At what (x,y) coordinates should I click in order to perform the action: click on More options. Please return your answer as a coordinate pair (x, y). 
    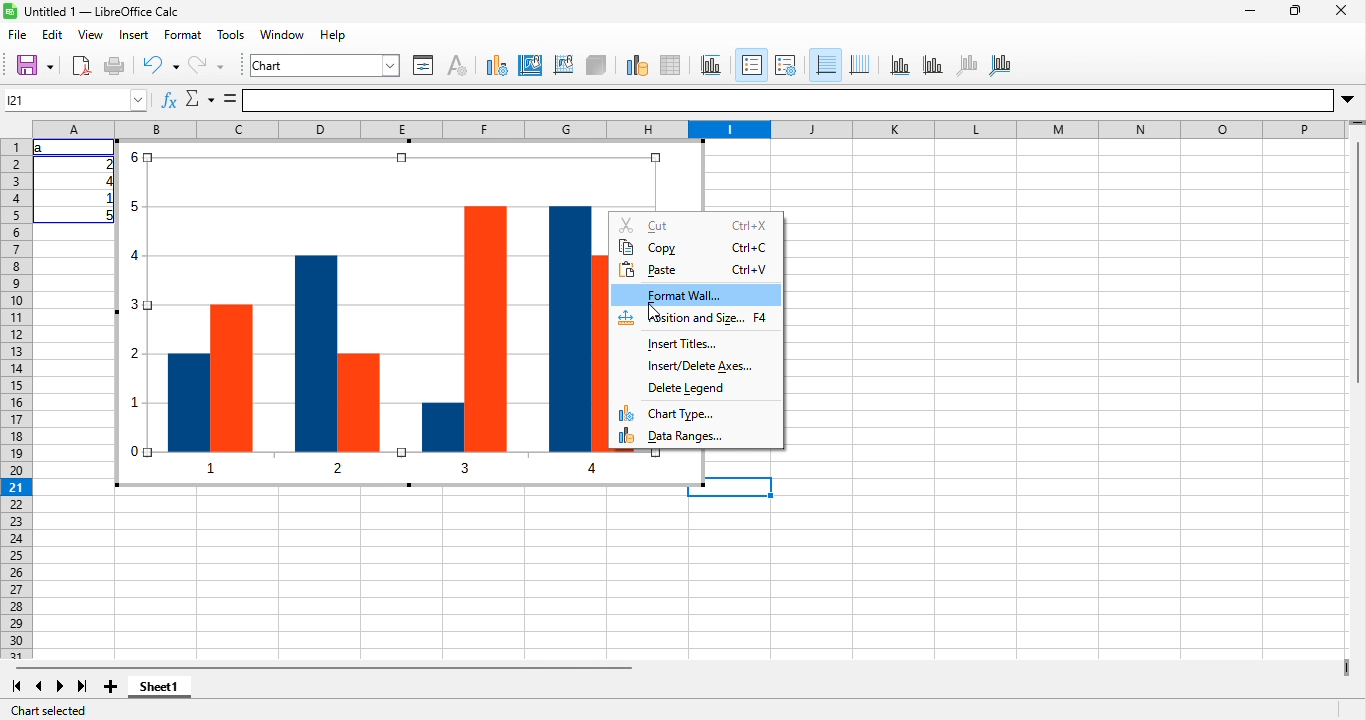
    Looking at the image, I should click on (1347, 100).